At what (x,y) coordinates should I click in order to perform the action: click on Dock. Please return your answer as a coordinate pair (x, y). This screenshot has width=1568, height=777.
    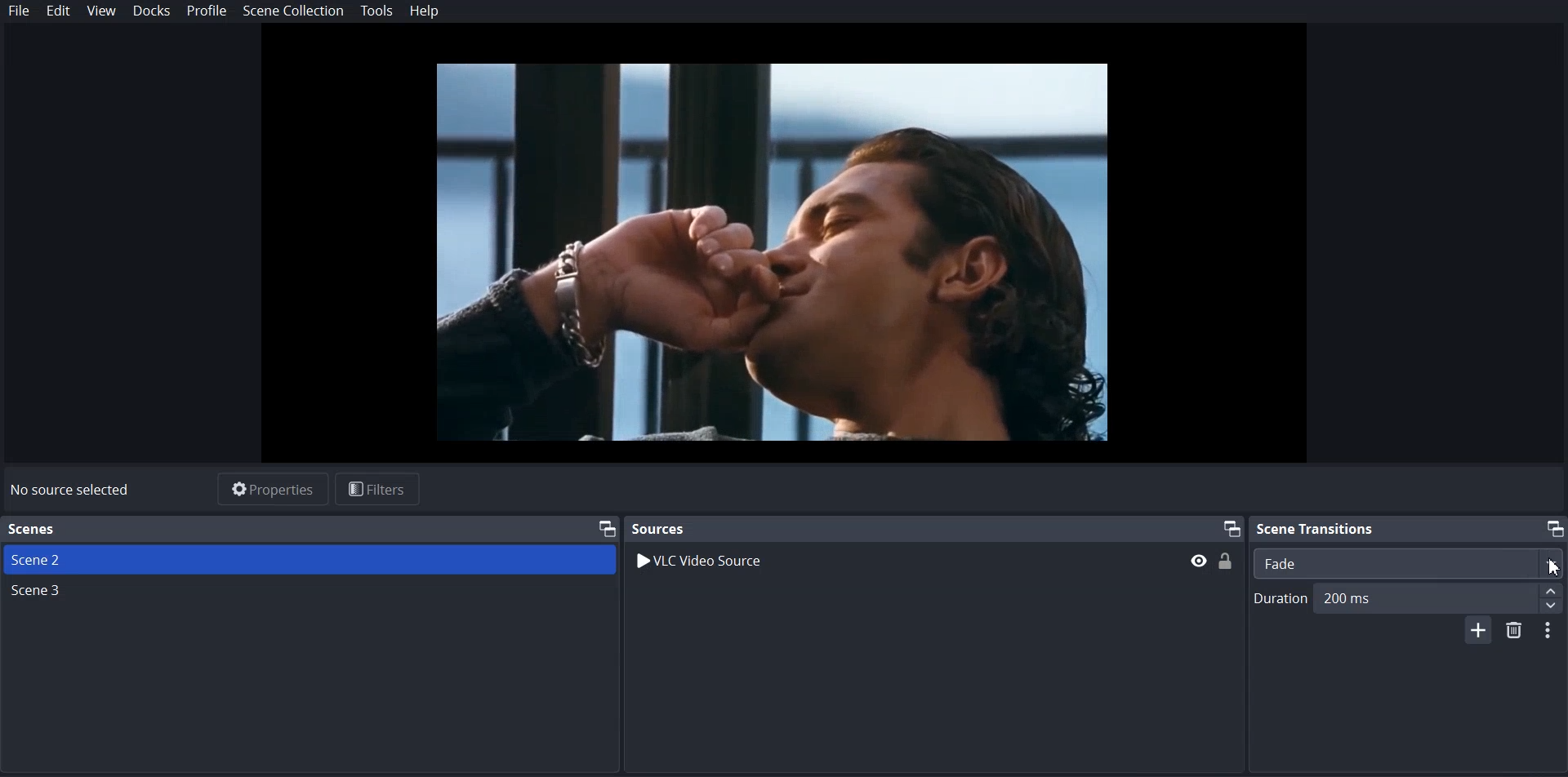
    Looking at the image, I should click on (152, 11).